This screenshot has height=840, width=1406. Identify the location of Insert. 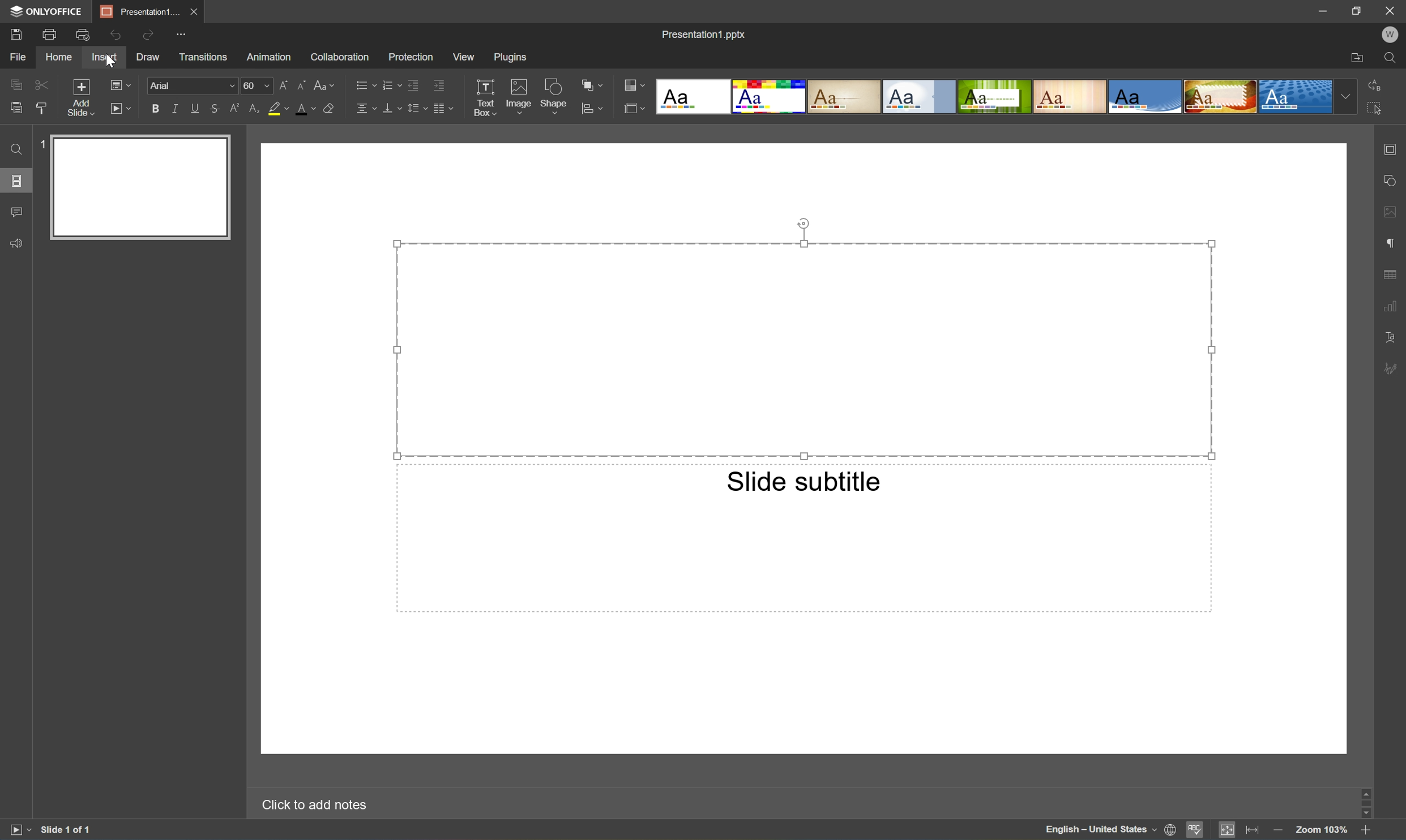
(105, 57).